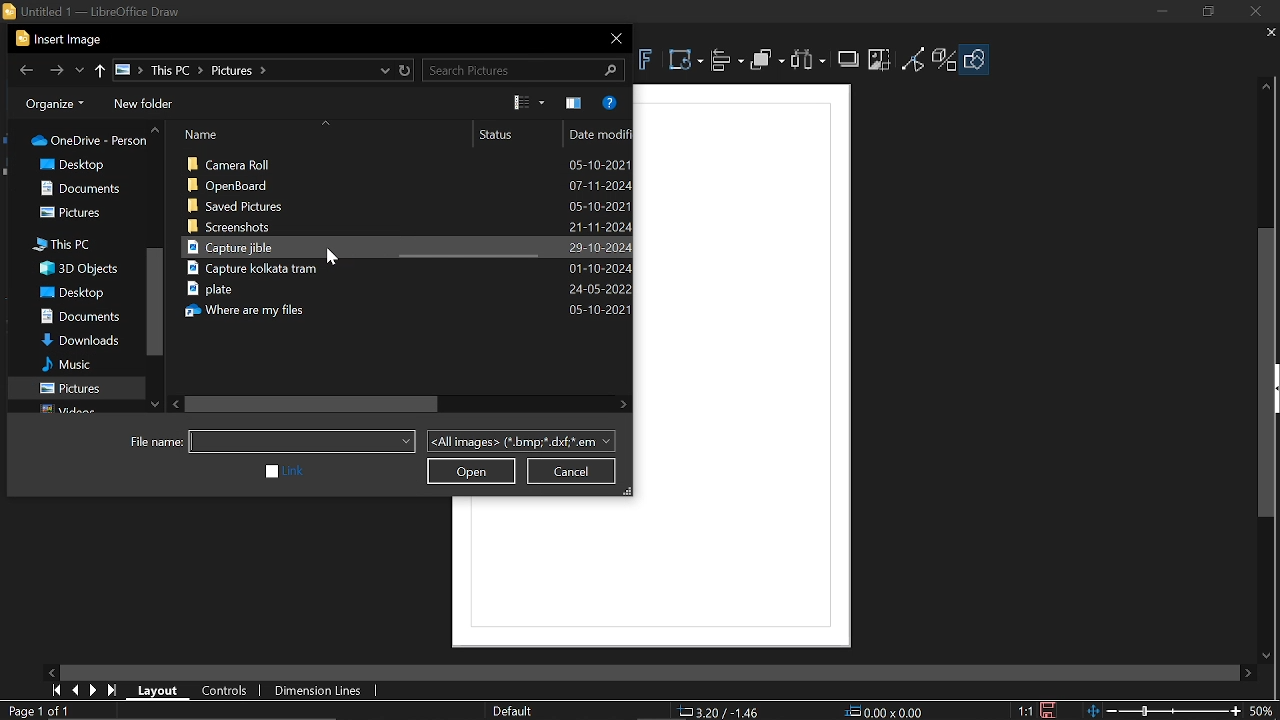 The height and width of the screenshot is (720, 1280). I want to click on File name, so click(302, 441).